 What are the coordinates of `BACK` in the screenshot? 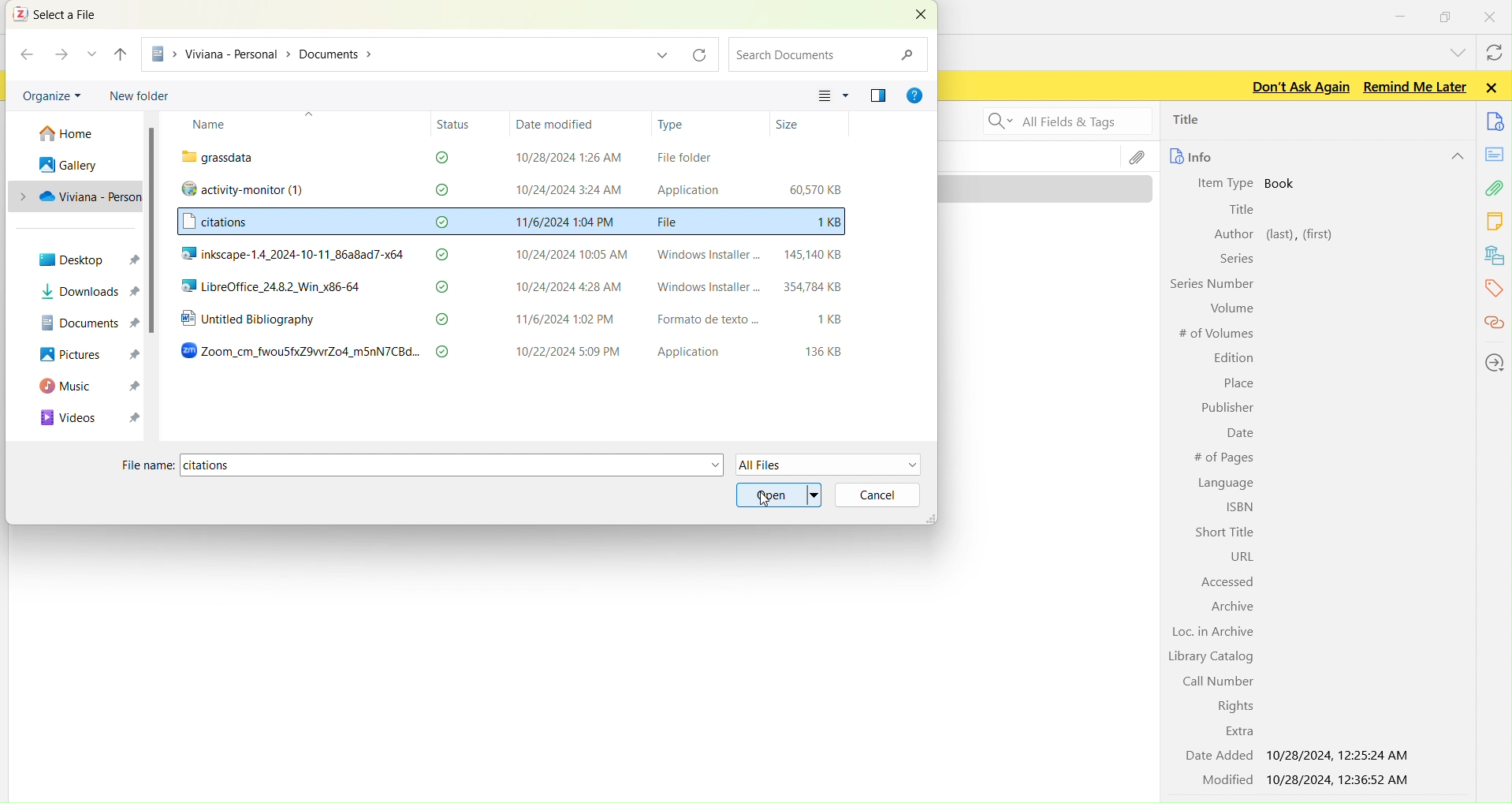 It's located at (27, 56).